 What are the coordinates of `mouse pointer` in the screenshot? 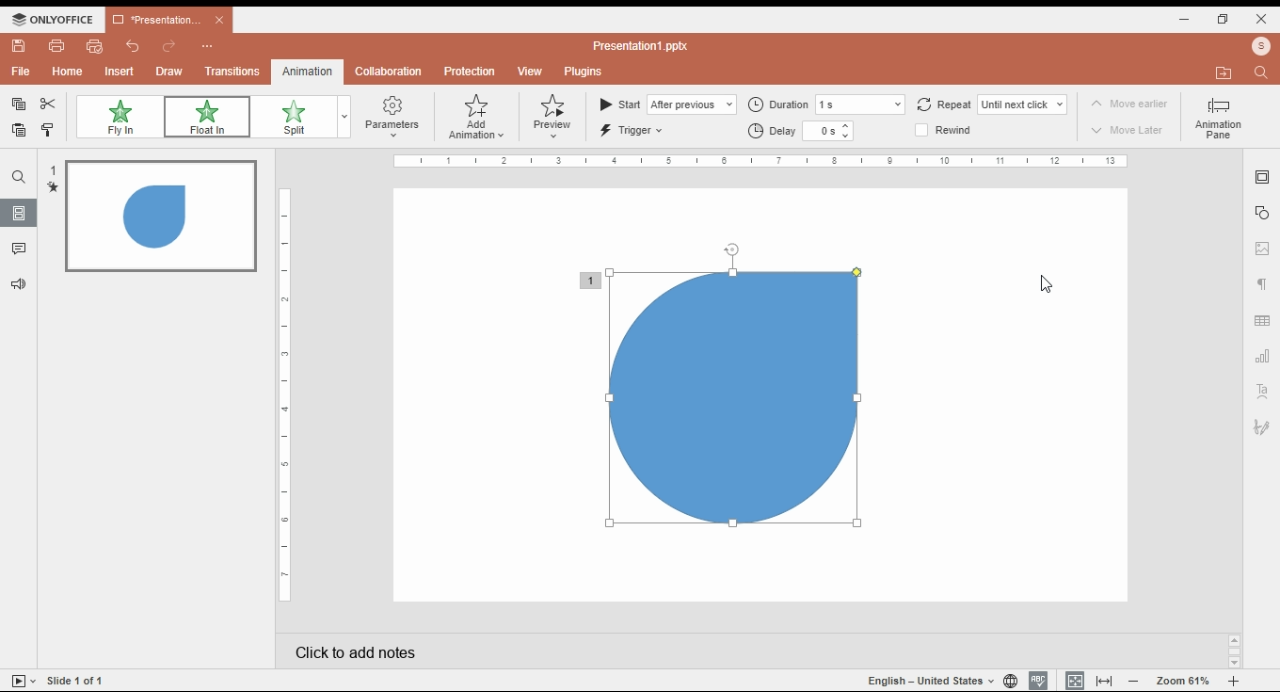 It's located at (1051, 284).